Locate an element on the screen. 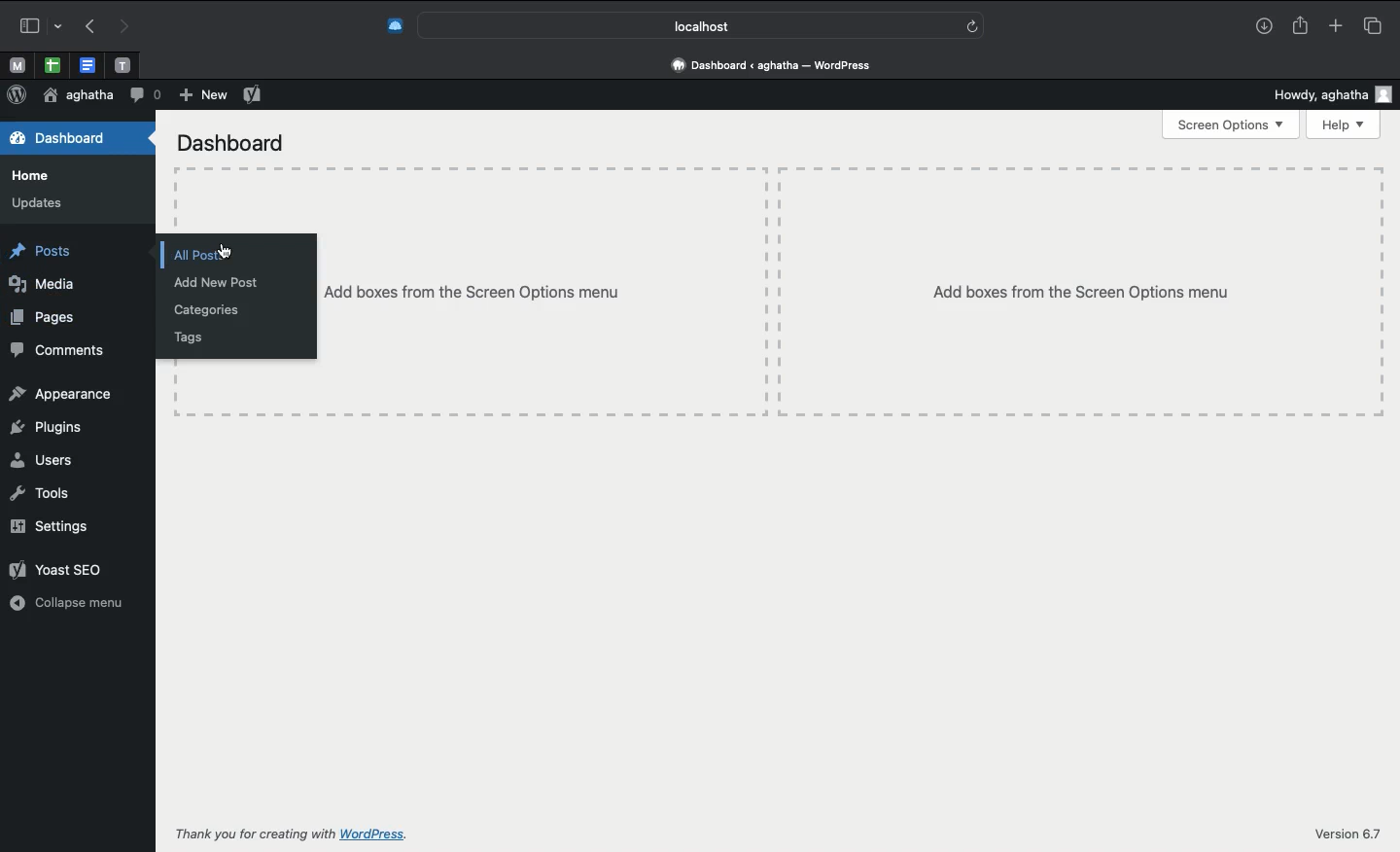 The image size is (1400, 852). Pinned tabs is located at coordinates (121, 65).